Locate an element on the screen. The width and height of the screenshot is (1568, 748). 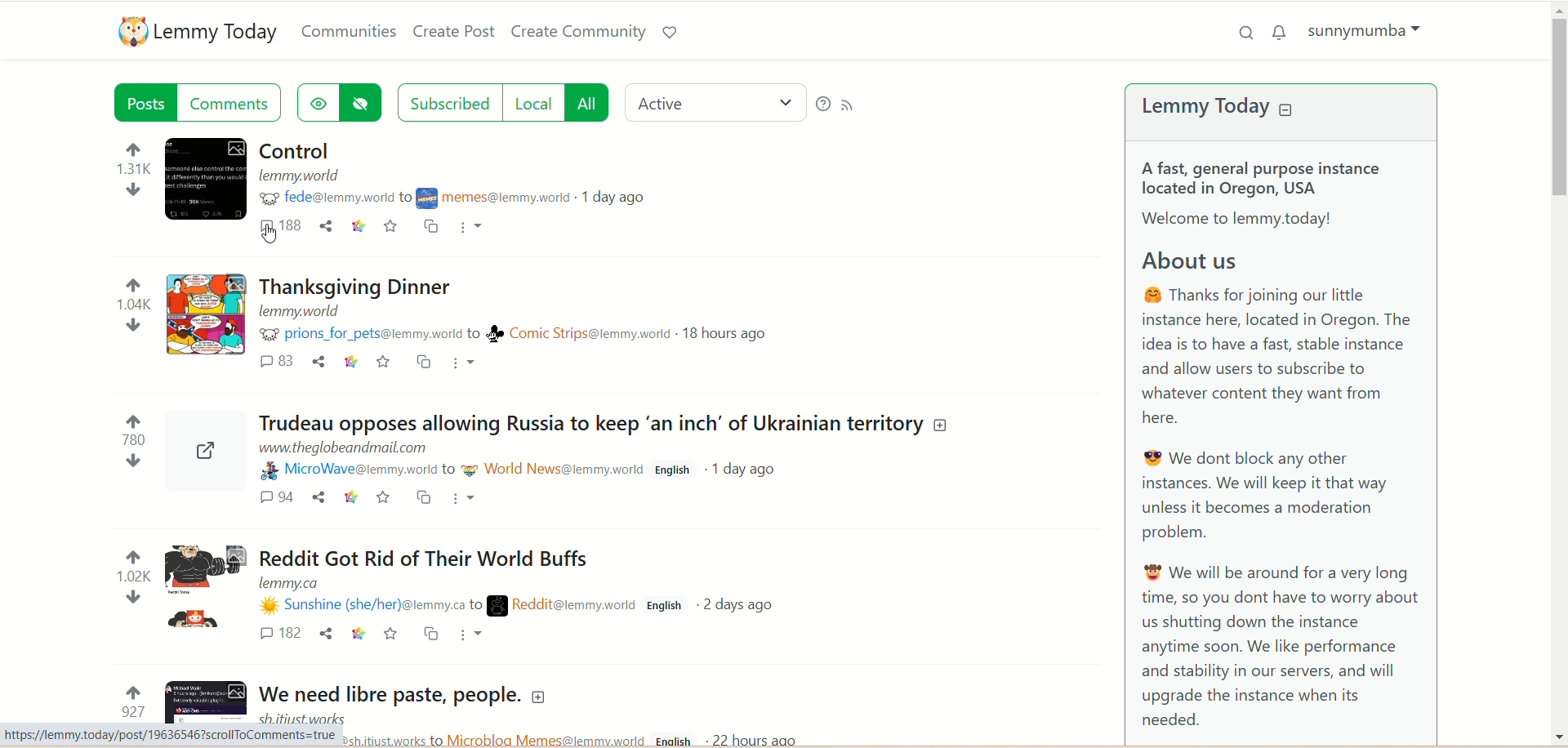
RSS is located at coordinates (844, 101).